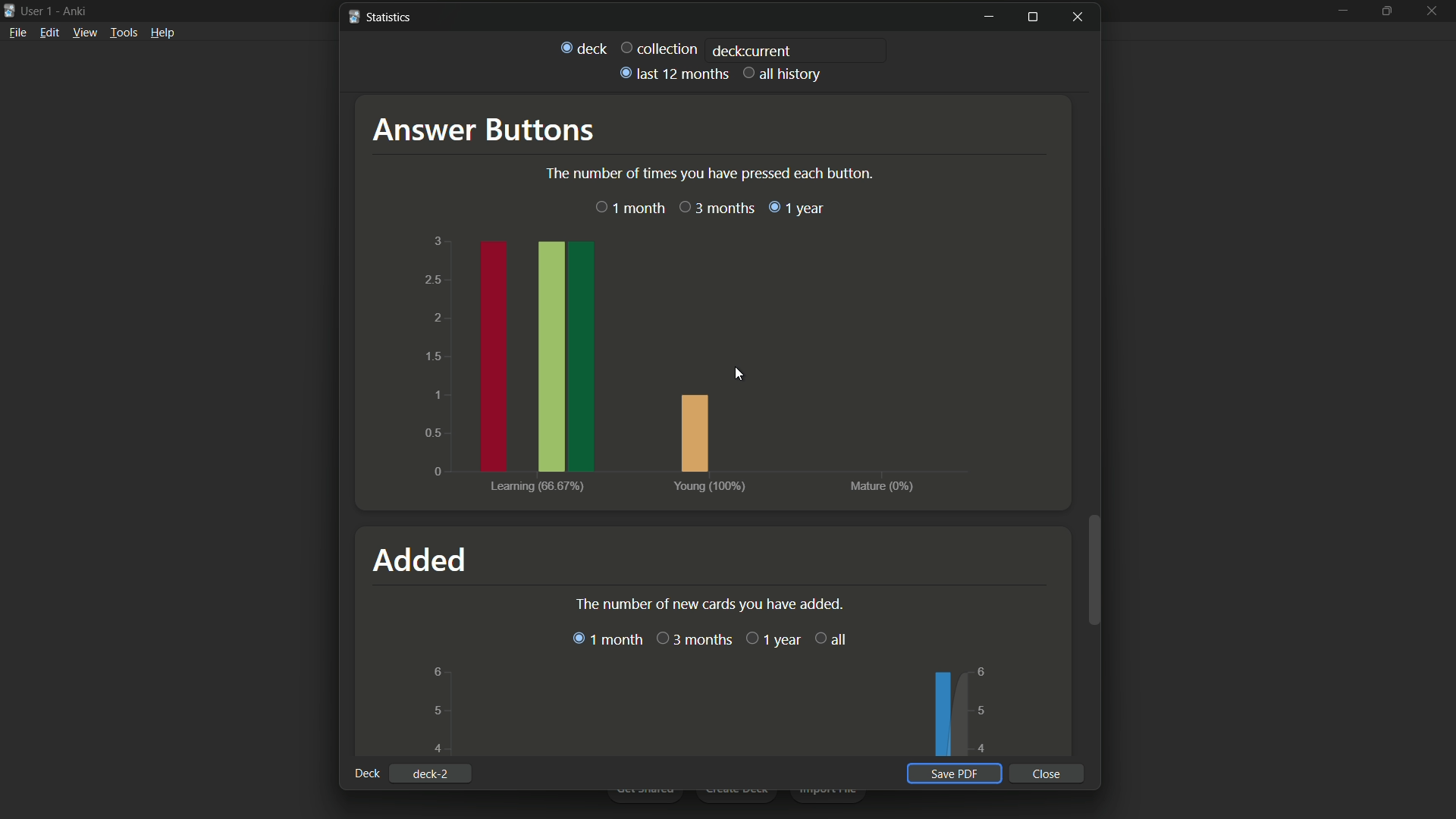 The image size is (1456, 819). I want to click on minimize, so click(988, 17).